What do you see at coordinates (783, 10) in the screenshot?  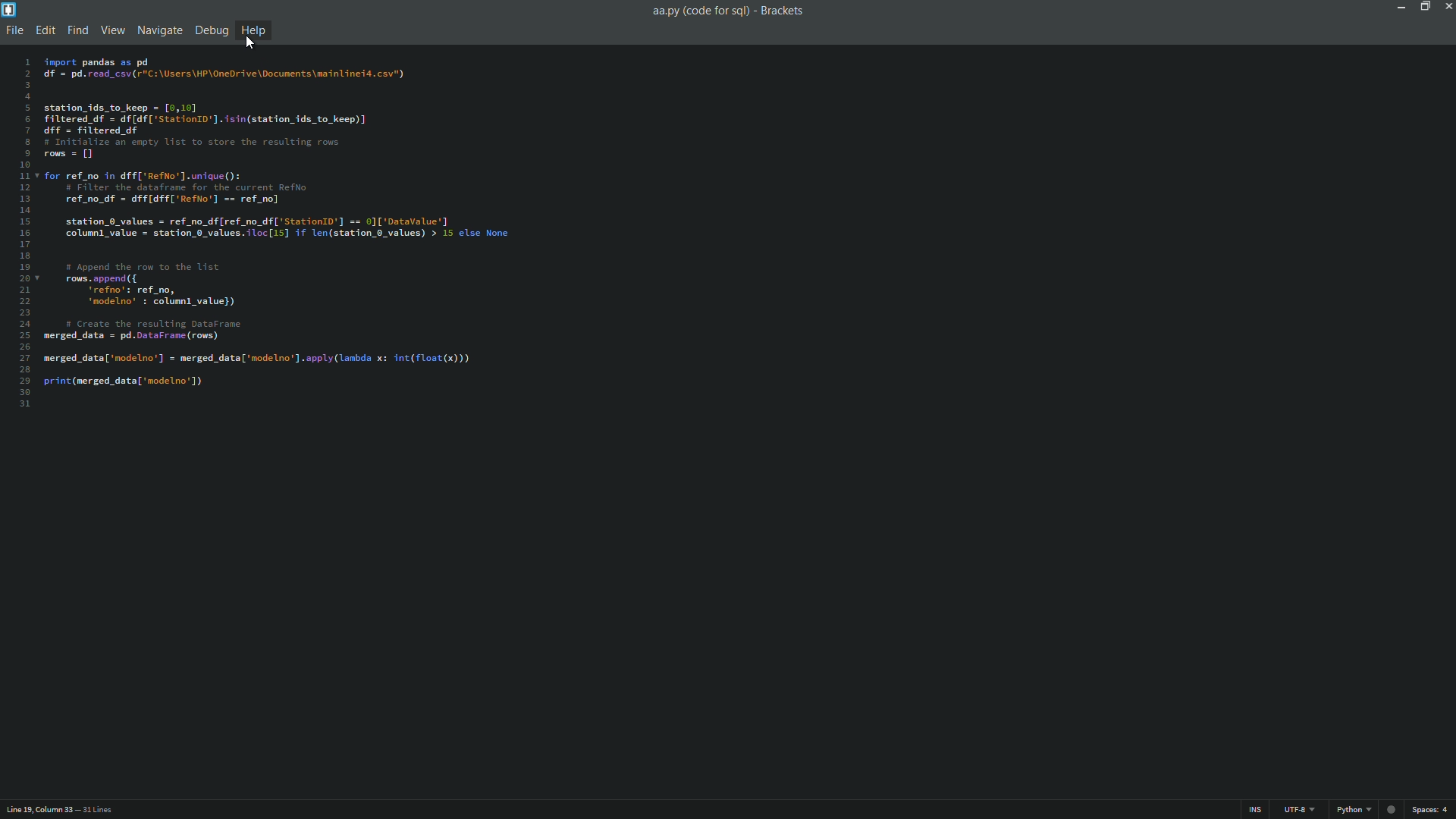 I see `Brackets` at bounding box center [783, 10].